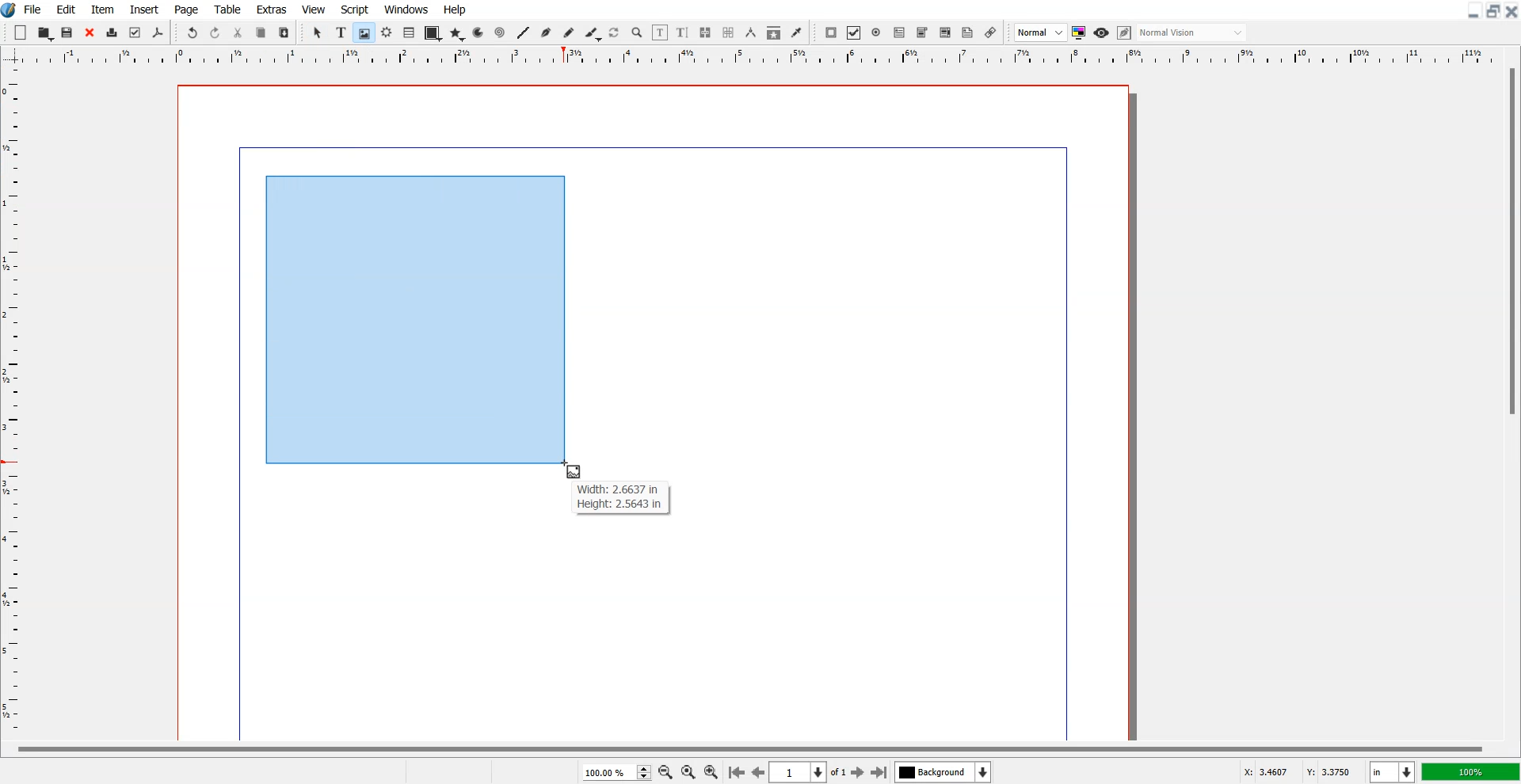 The height and width of the screenshot is (784, 1521). I want to click on Copy, so click(261, 32).